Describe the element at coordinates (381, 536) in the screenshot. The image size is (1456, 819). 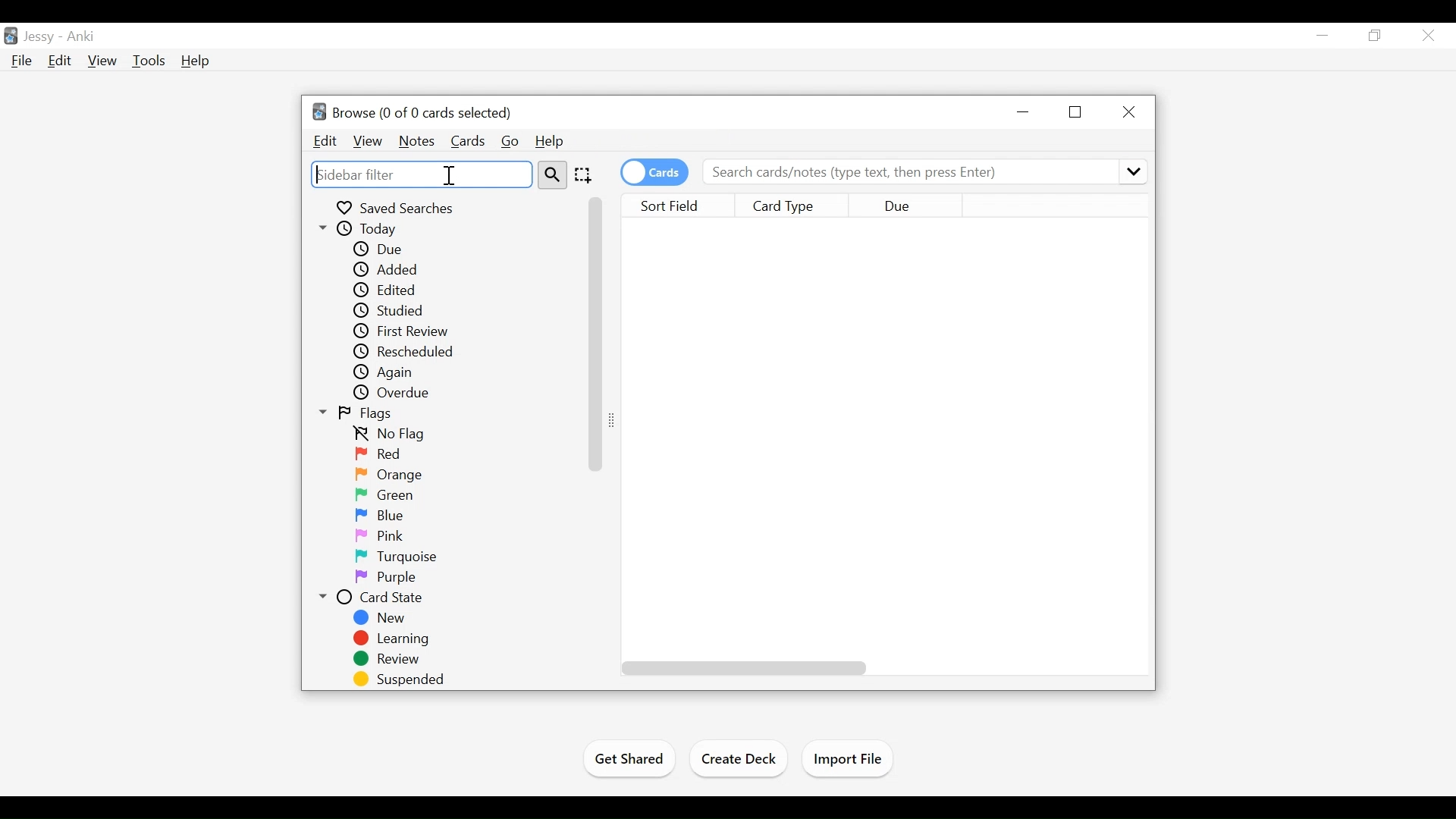
I see `Pink` at that location.